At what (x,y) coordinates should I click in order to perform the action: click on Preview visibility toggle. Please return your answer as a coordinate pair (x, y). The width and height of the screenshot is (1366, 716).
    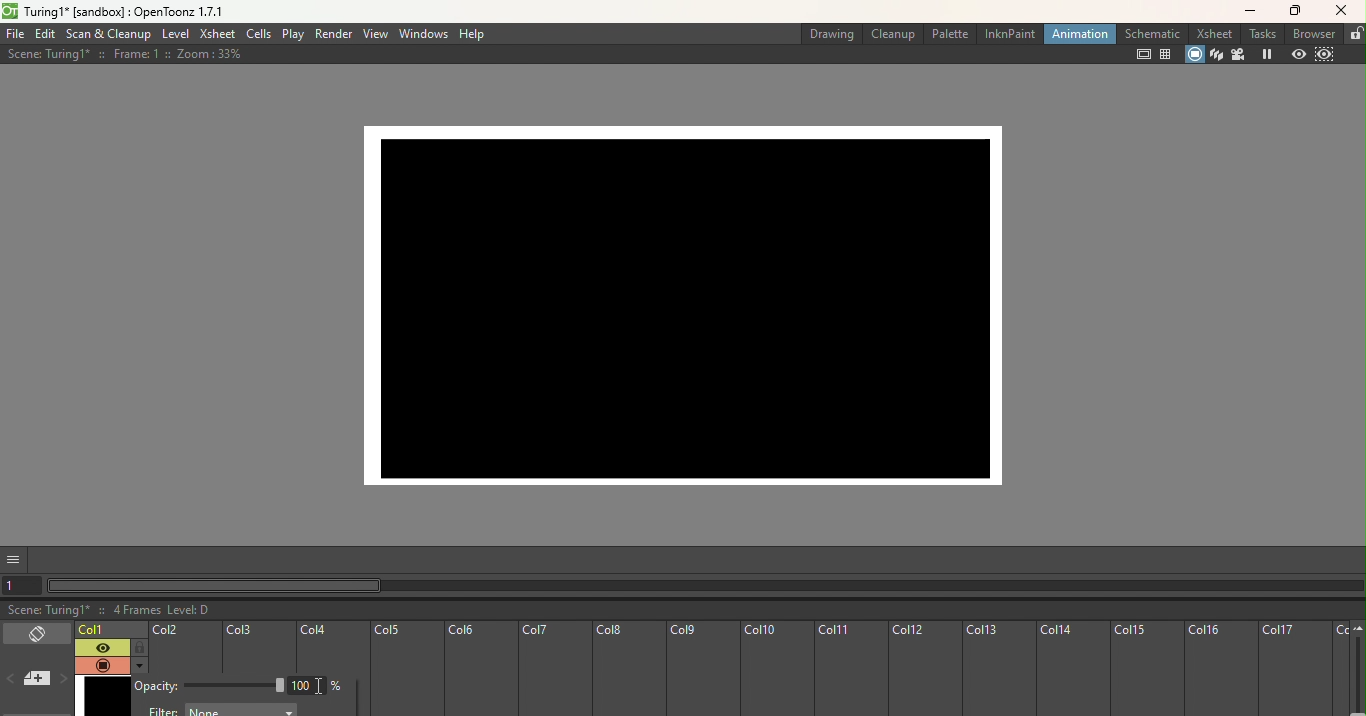
    Looking at the image, I should click on (100, 647).